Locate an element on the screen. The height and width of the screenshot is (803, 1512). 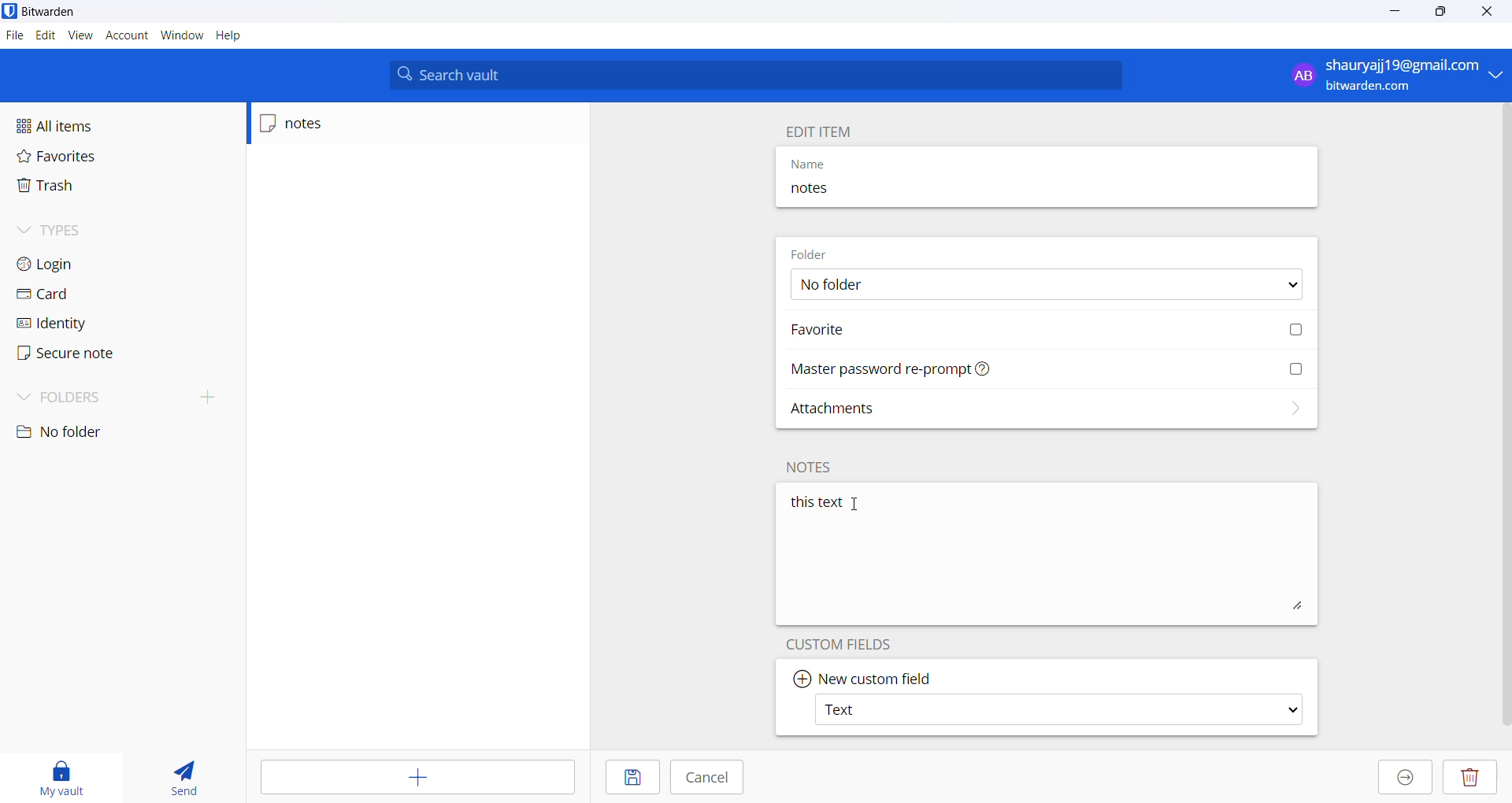
custom fields is located at coordinates (844, 645).